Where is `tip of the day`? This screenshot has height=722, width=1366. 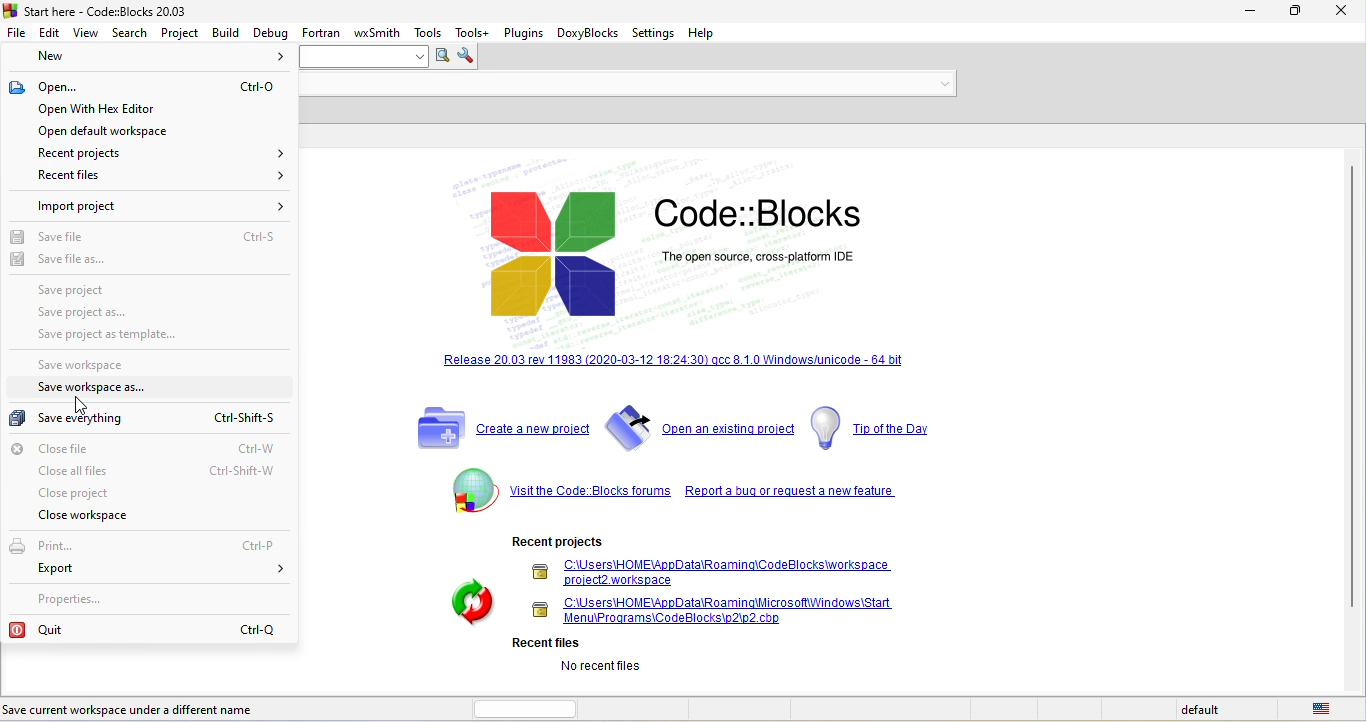 tip of the day is located at coordinates (886, 428).